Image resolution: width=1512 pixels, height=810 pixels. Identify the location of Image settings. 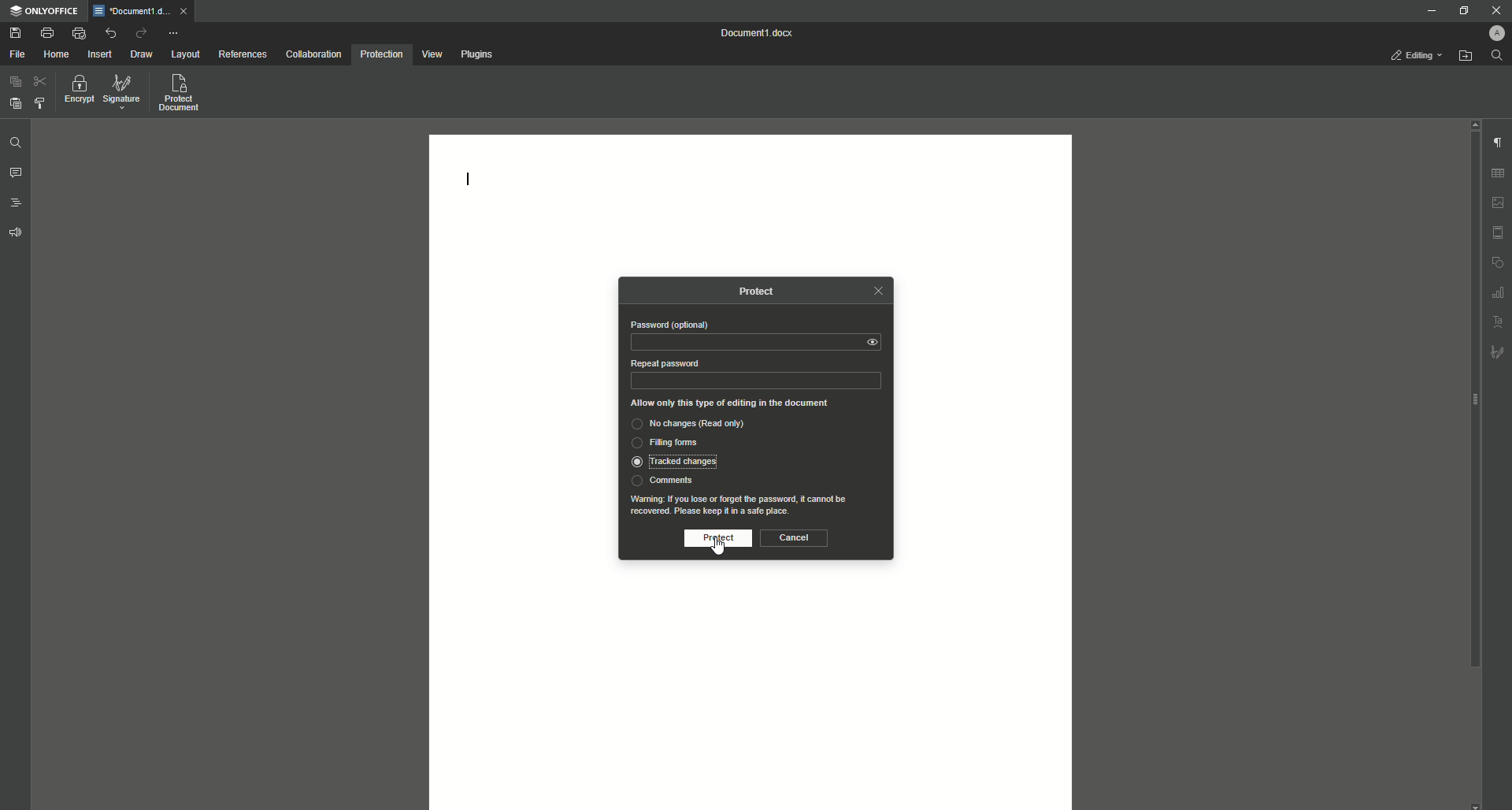
(1499, 202).